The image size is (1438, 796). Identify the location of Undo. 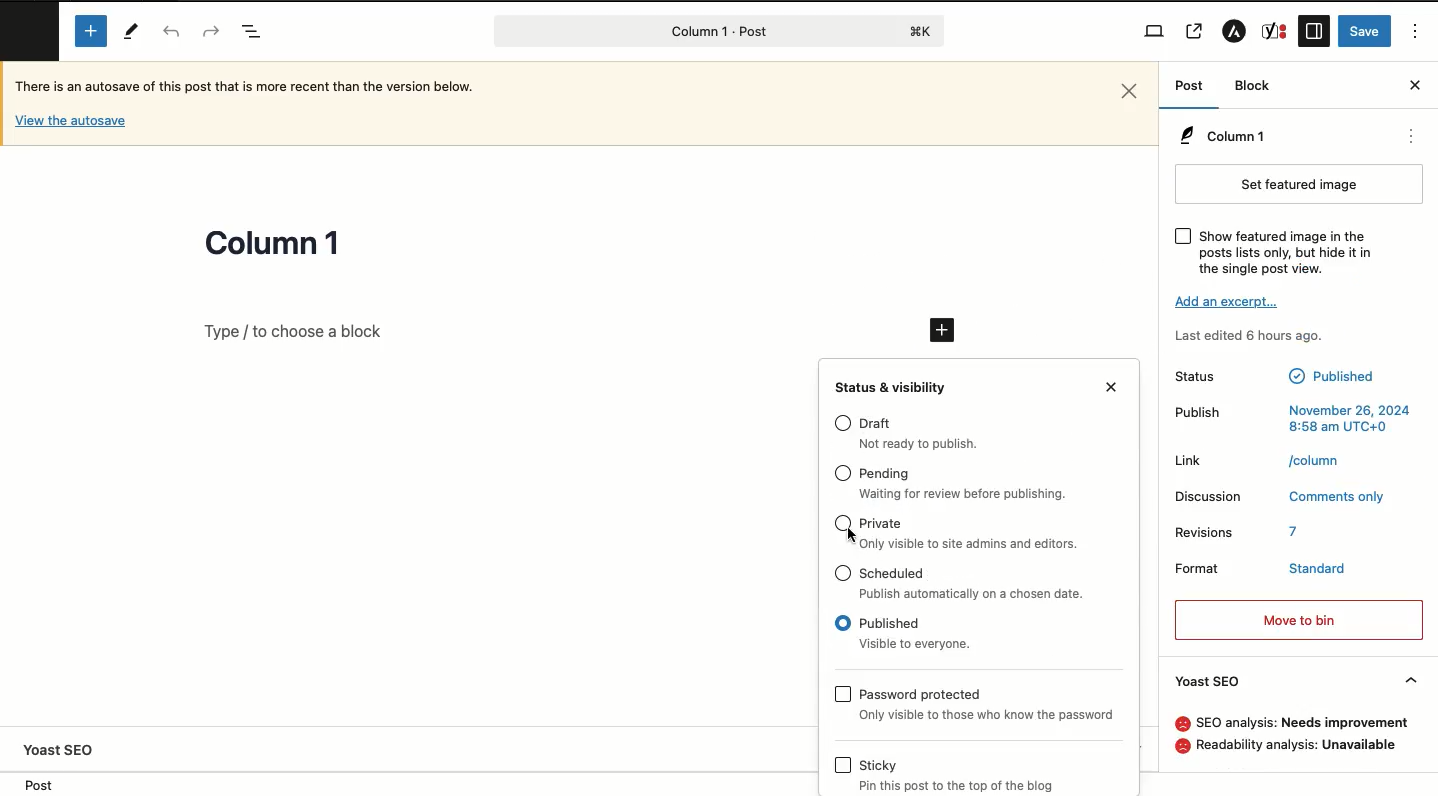
(172, 32).